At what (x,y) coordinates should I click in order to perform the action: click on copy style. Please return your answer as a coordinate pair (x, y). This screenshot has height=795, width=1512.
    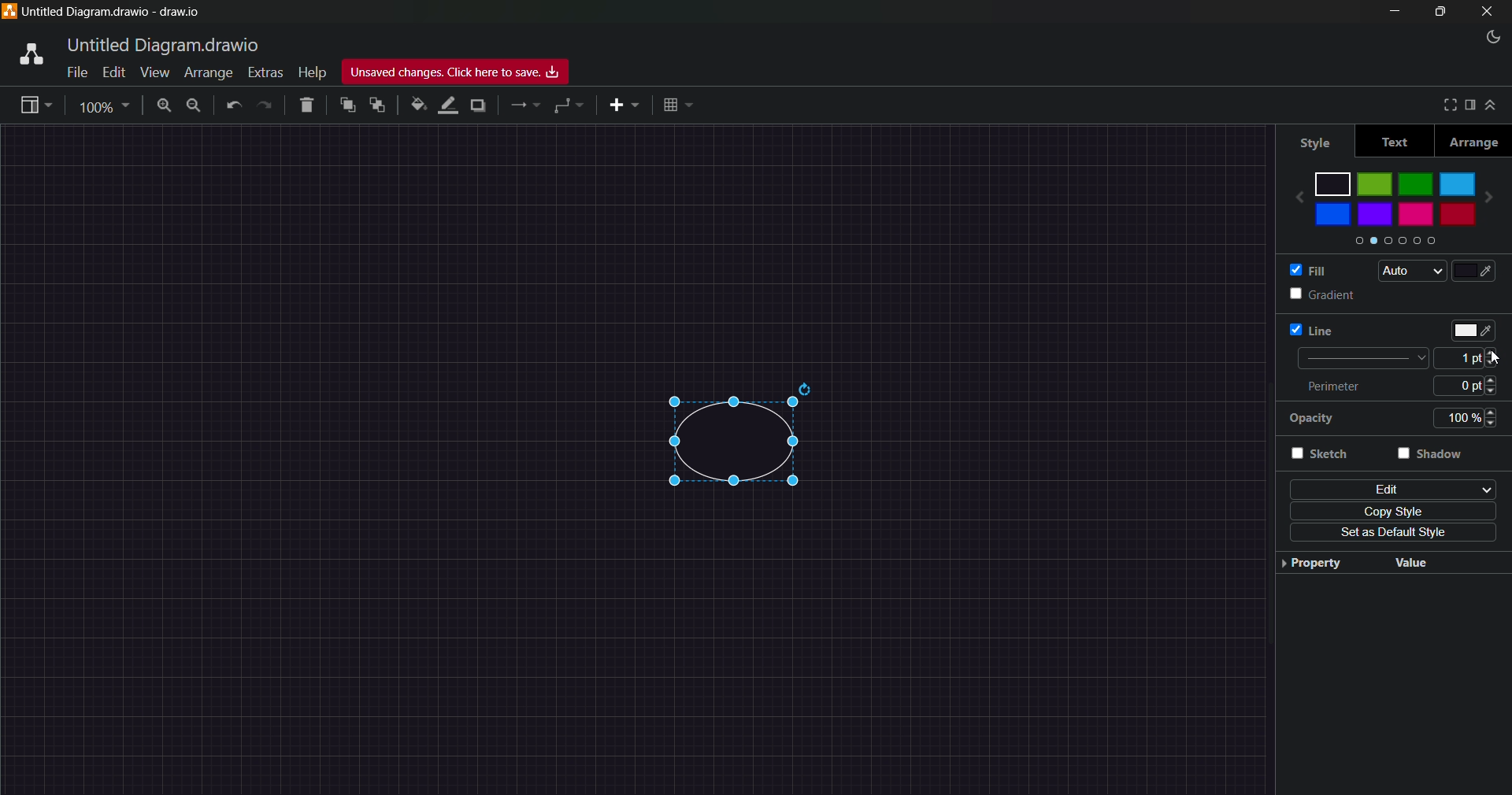
    Looking at the image, I should click on (1390, 512).